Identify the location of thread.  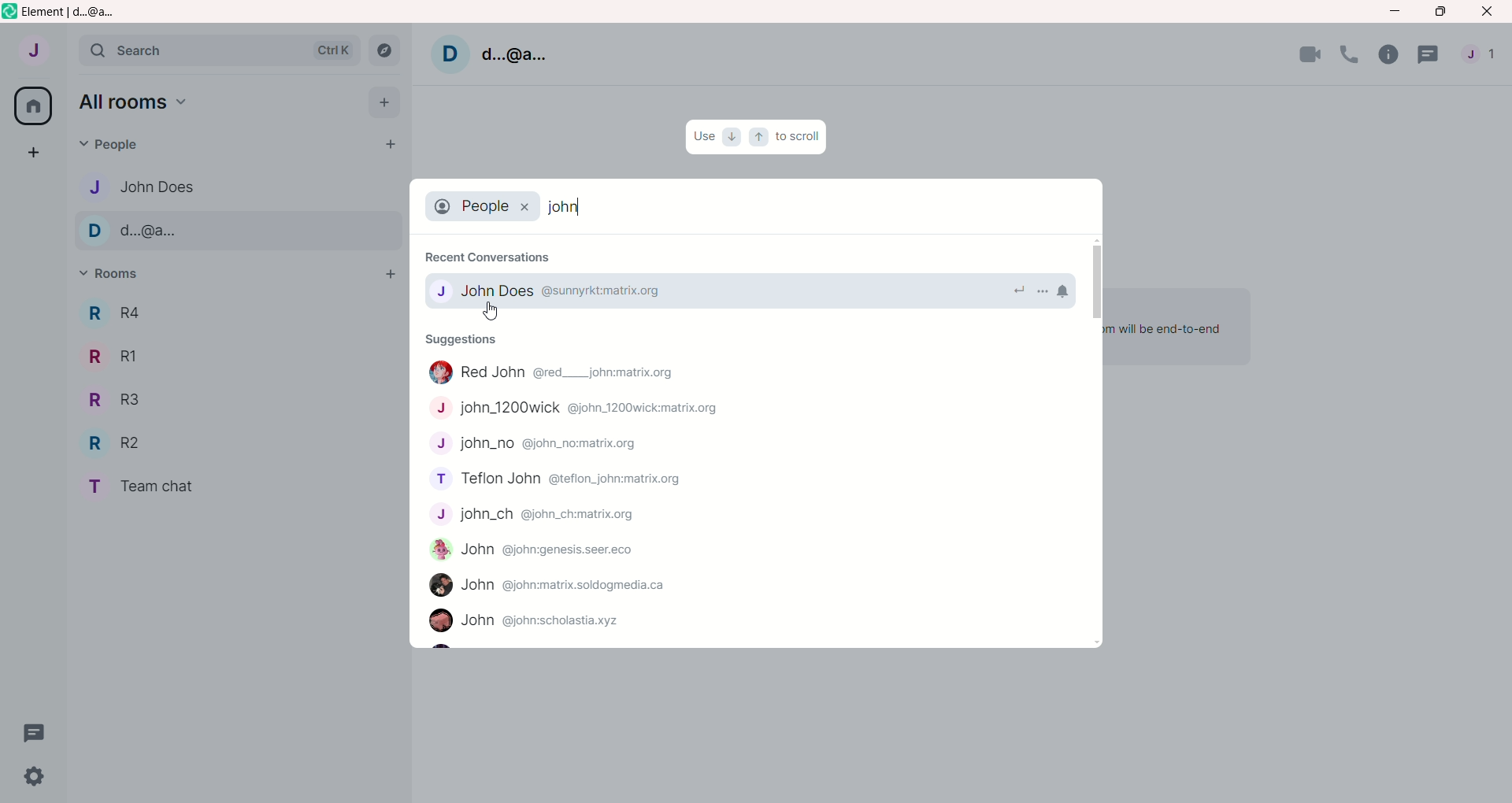
(35, 733).